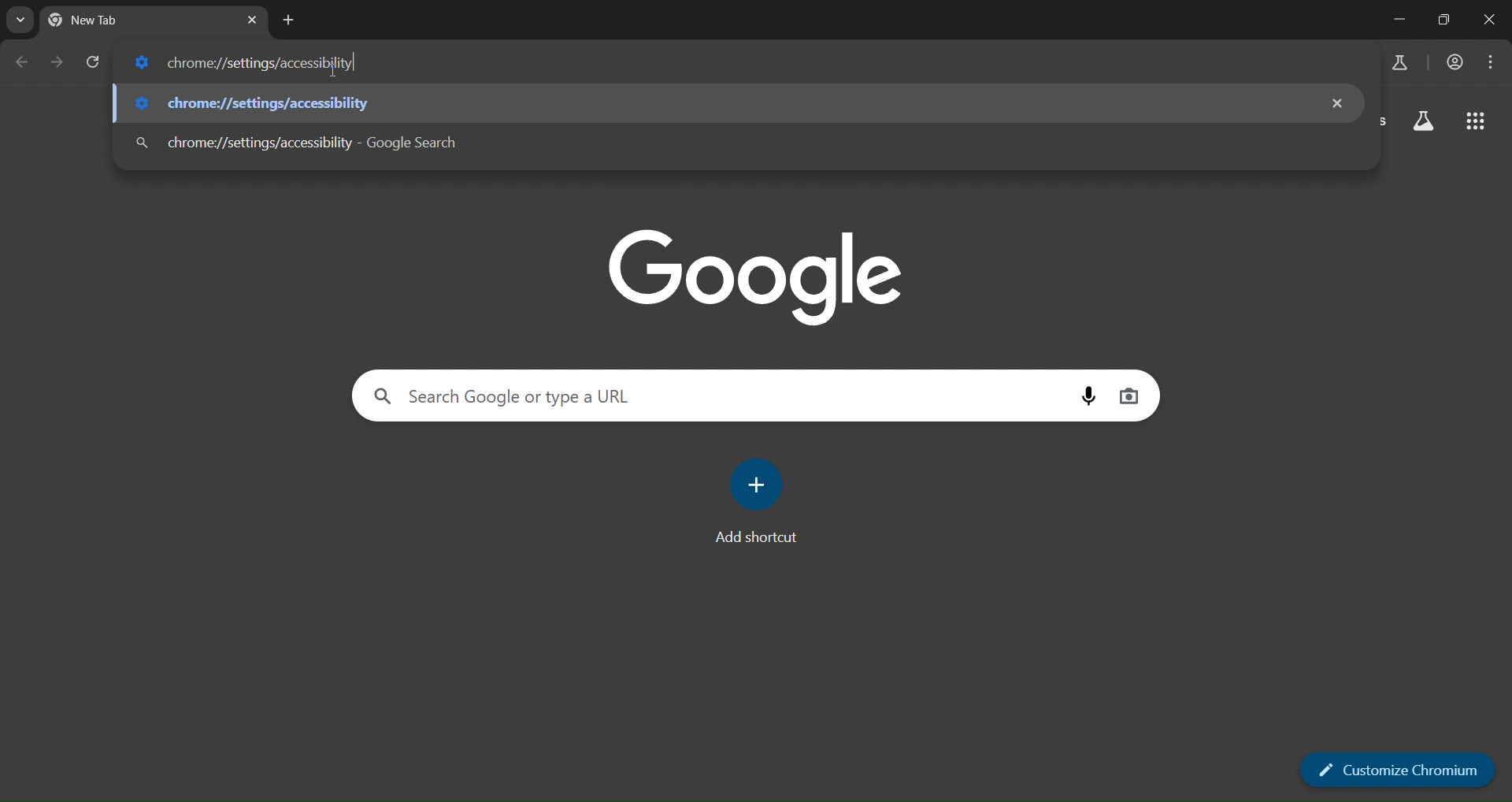 The image size is (1512, 802). What do you see at coordinates (250, 63) in the screenshot?
I see `chrome://settings/accessibility` at bounding box center [250, 63].